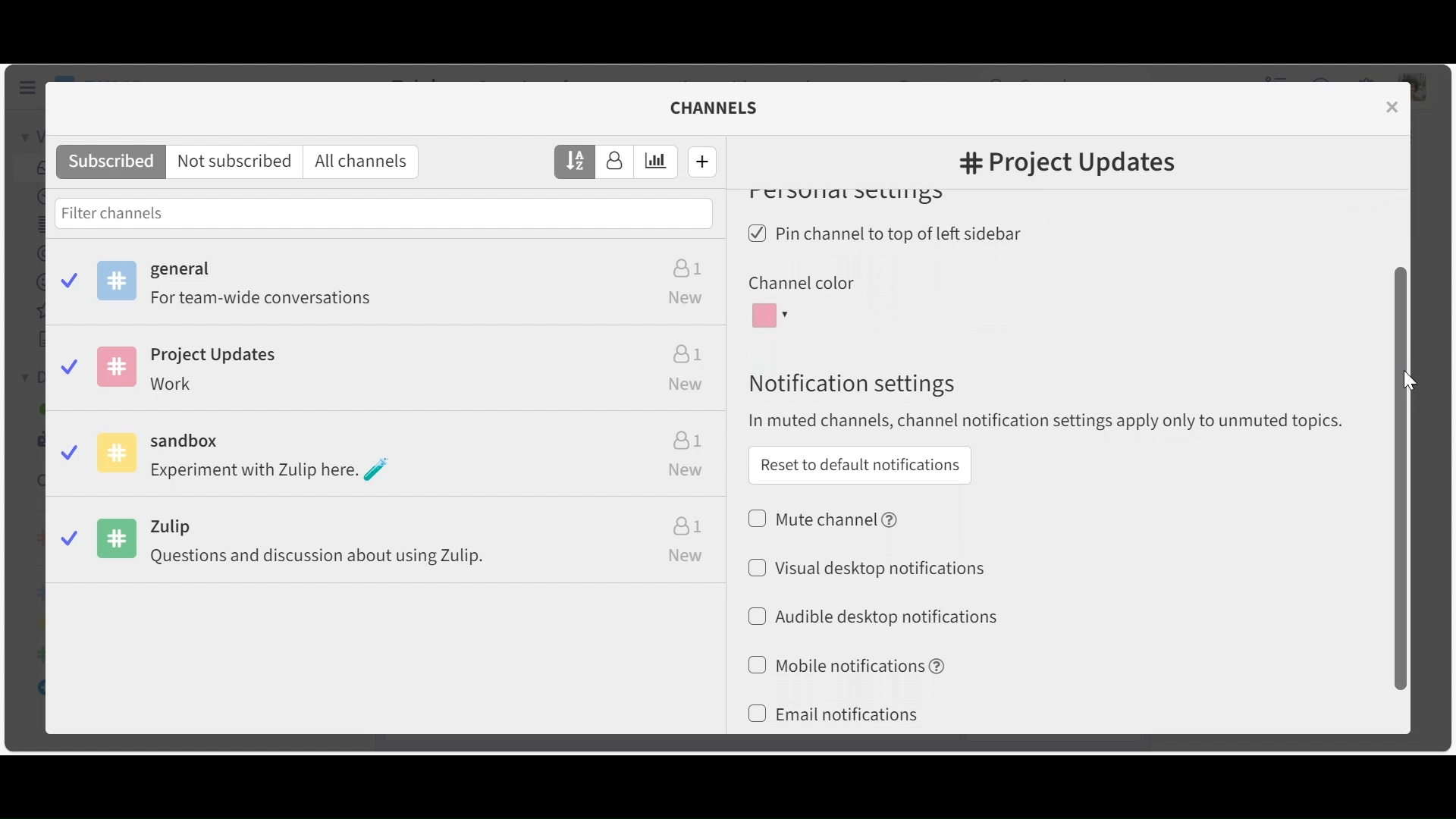 Image resolution: width=1456 pixels, height=819 pixels. Describe the element at coordinates (576, 161) in the screenshot. I see `Sort by name` at that location.